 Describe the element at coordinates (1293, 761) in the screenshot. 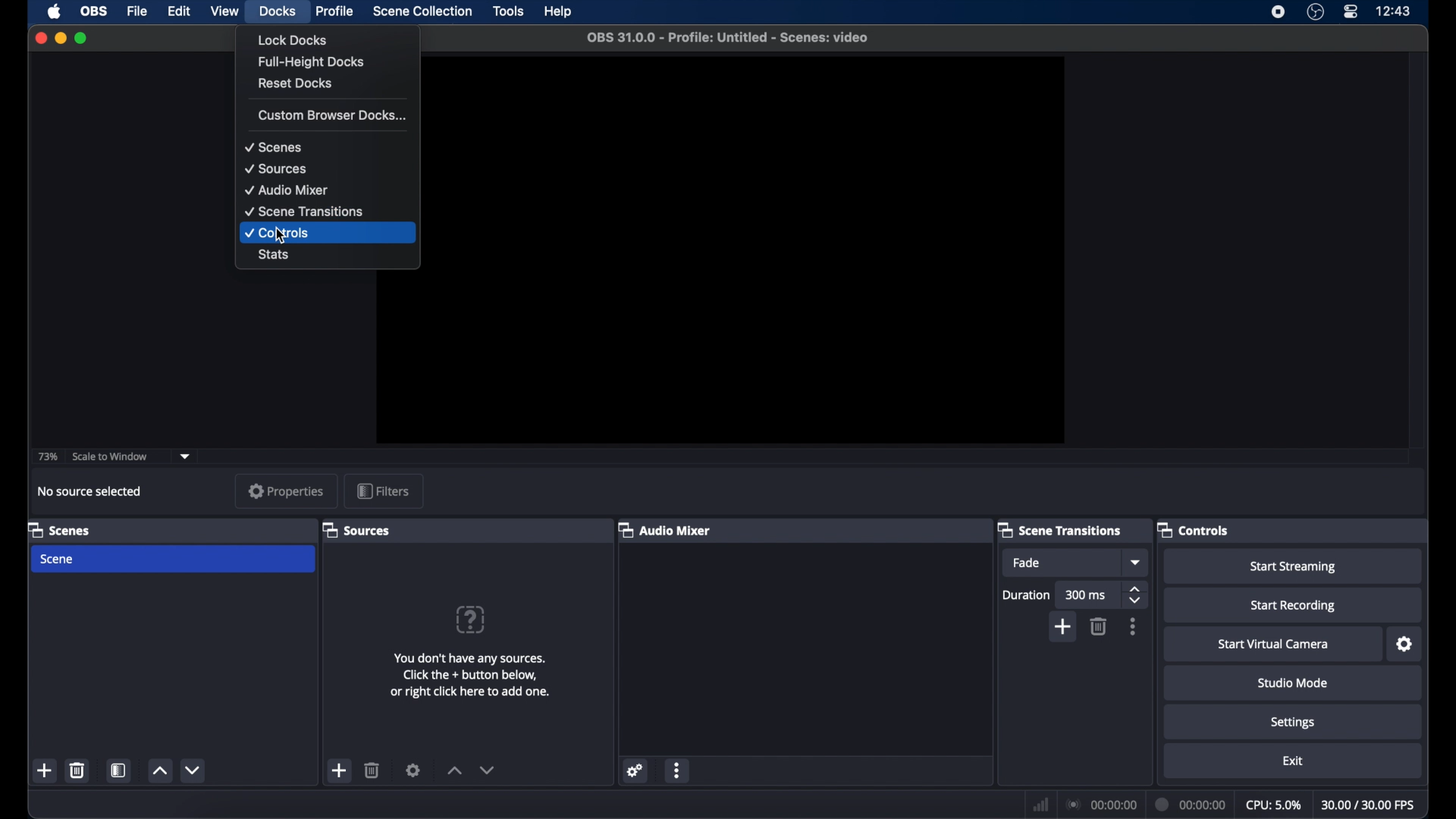

I see `exit` at that location.